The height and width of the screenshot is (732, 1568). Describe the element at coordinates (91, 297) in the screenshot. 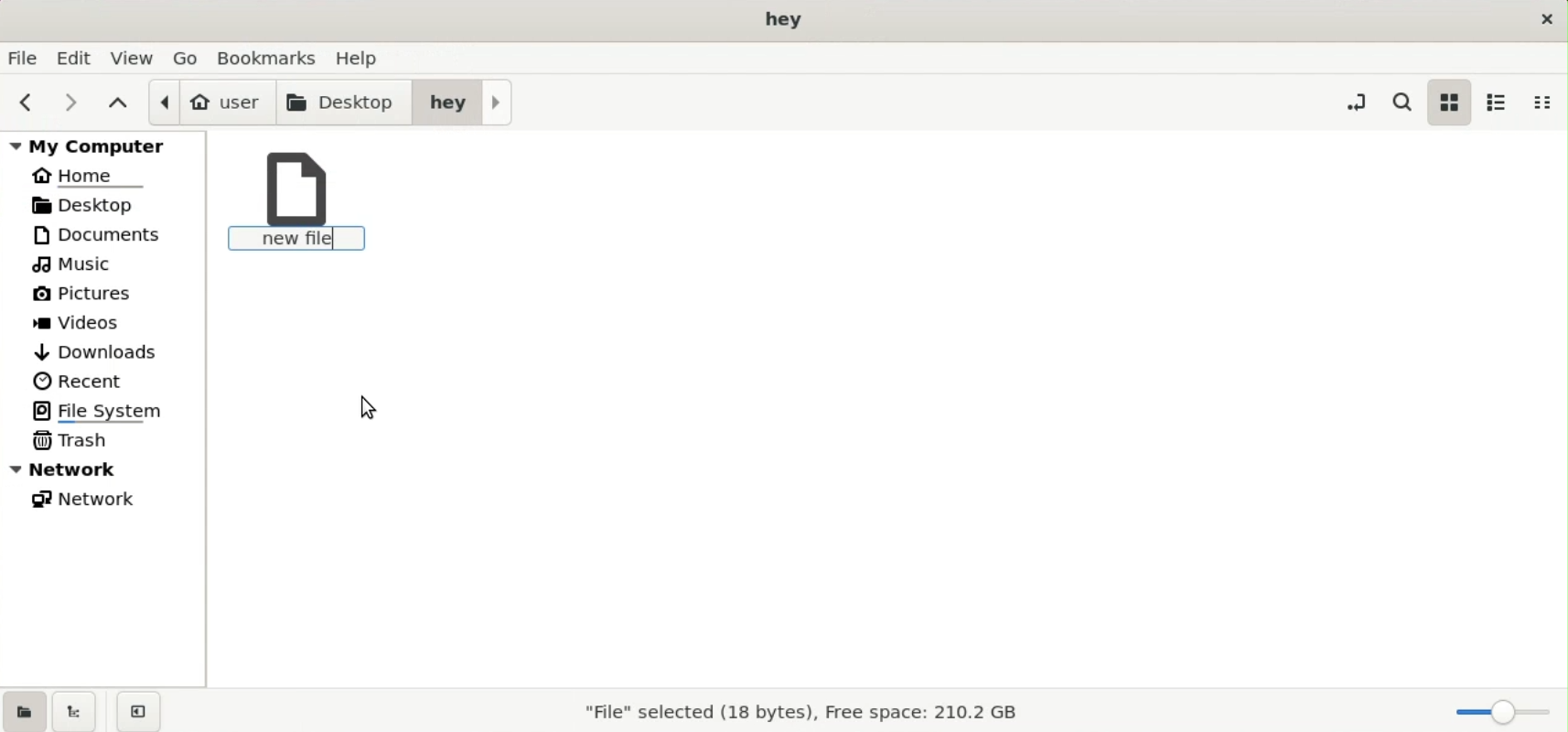

I see `pictures` at that location.